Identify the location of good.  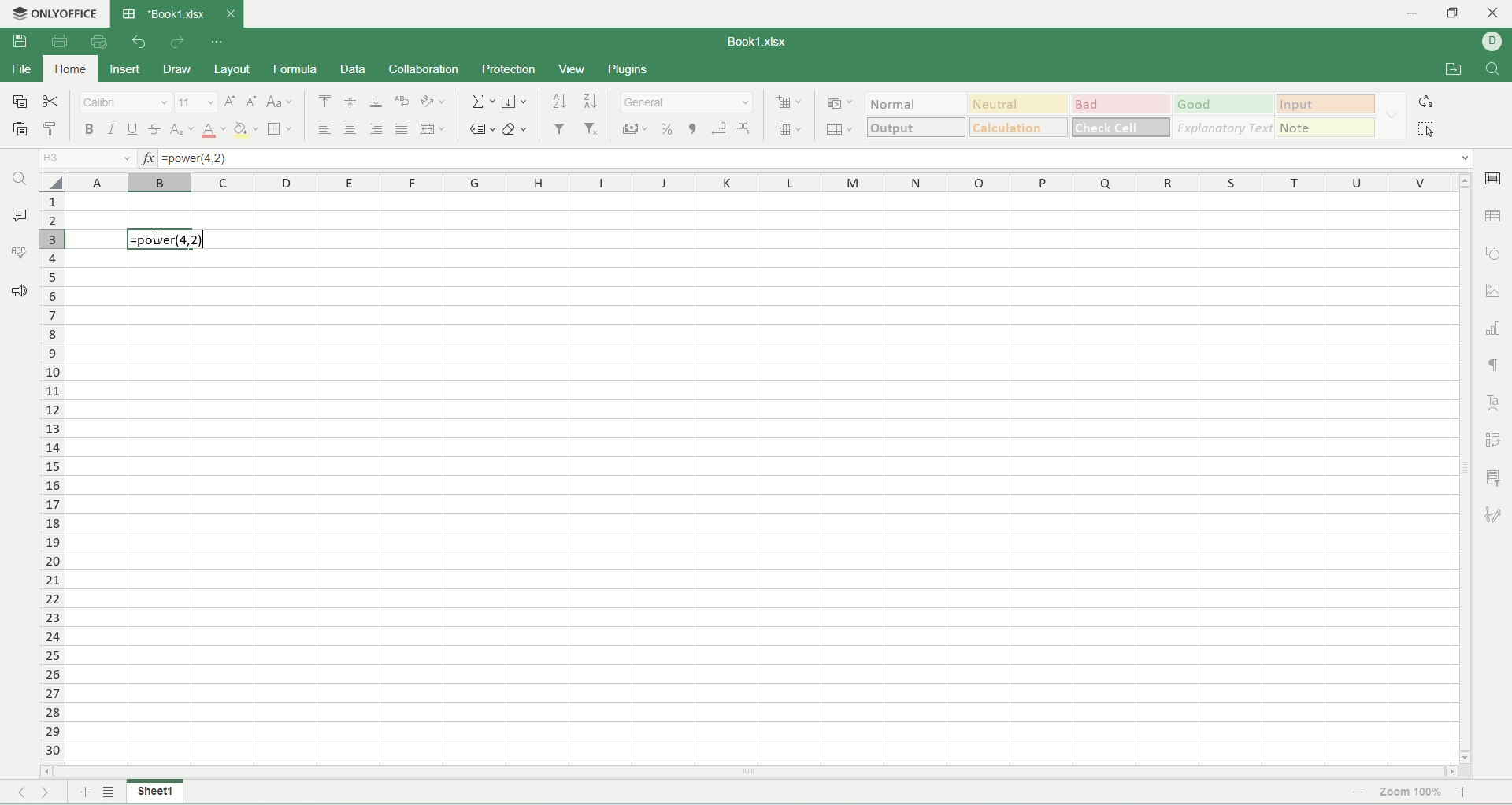
(1230, 104).